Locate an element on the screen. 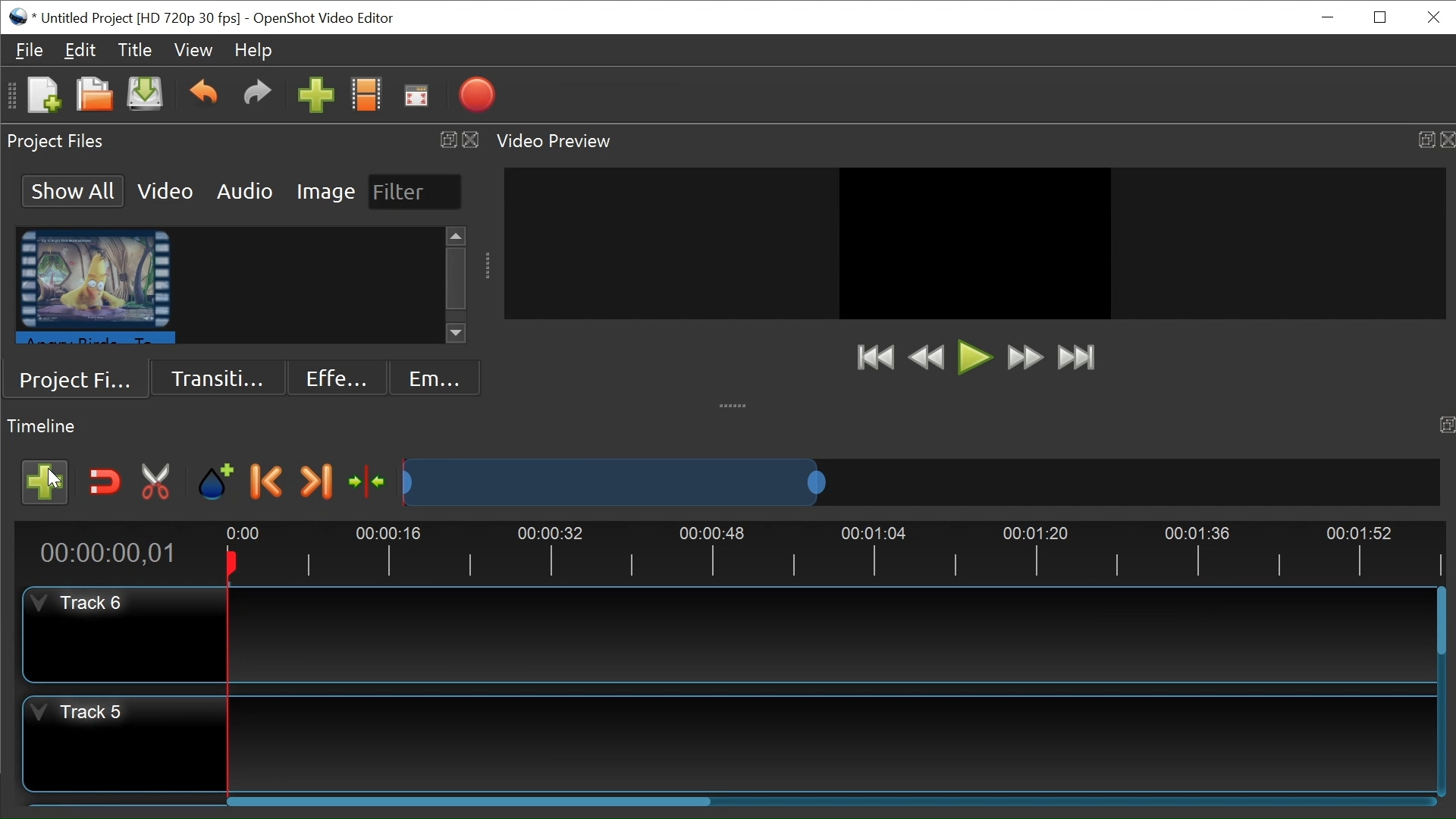 This screenshot has height=819, width=1456. Video is located at coordinates (165, 190).